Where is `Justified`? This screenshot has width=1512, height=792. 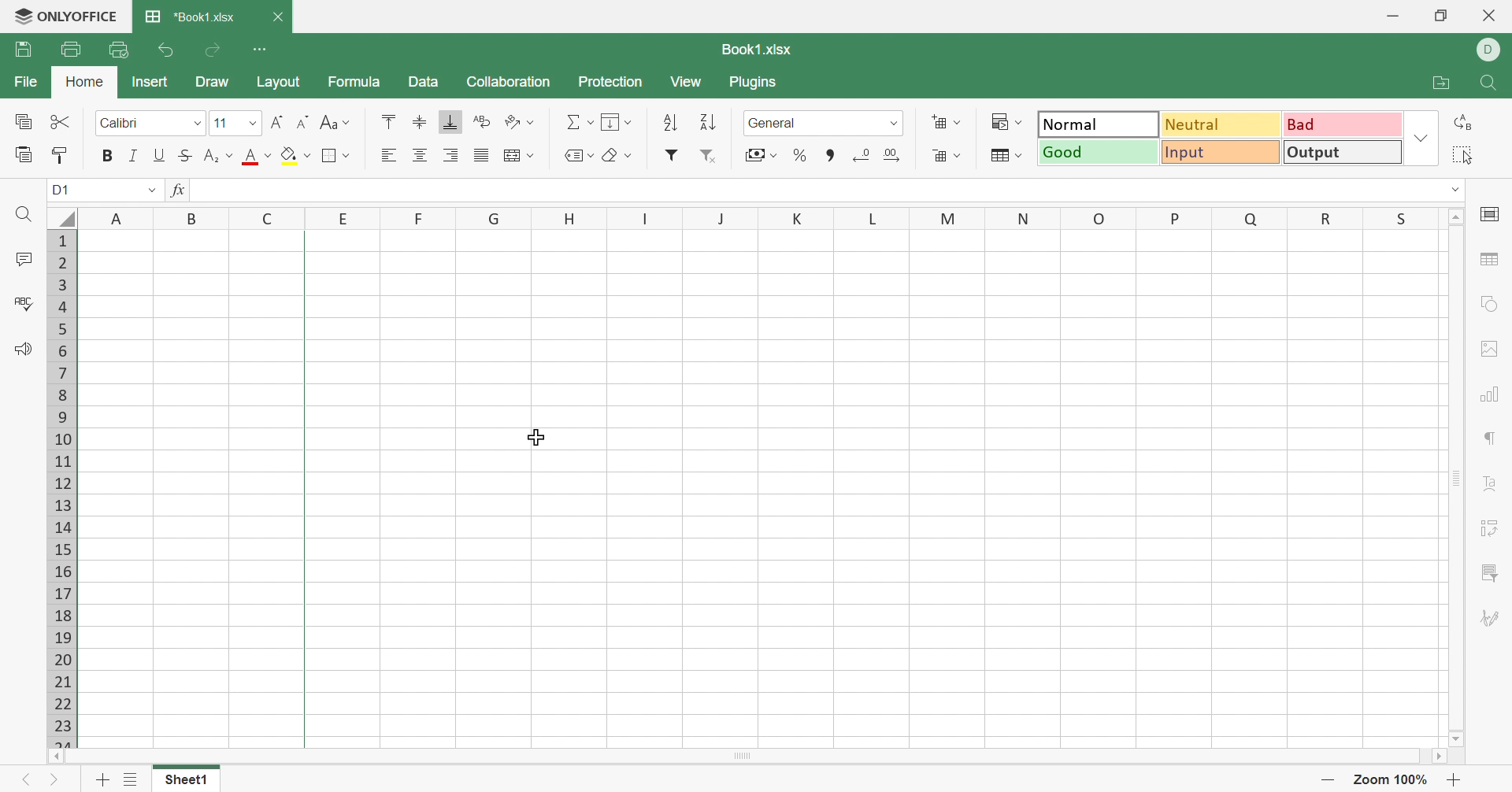
Justified is located at coordinates (480, 155).